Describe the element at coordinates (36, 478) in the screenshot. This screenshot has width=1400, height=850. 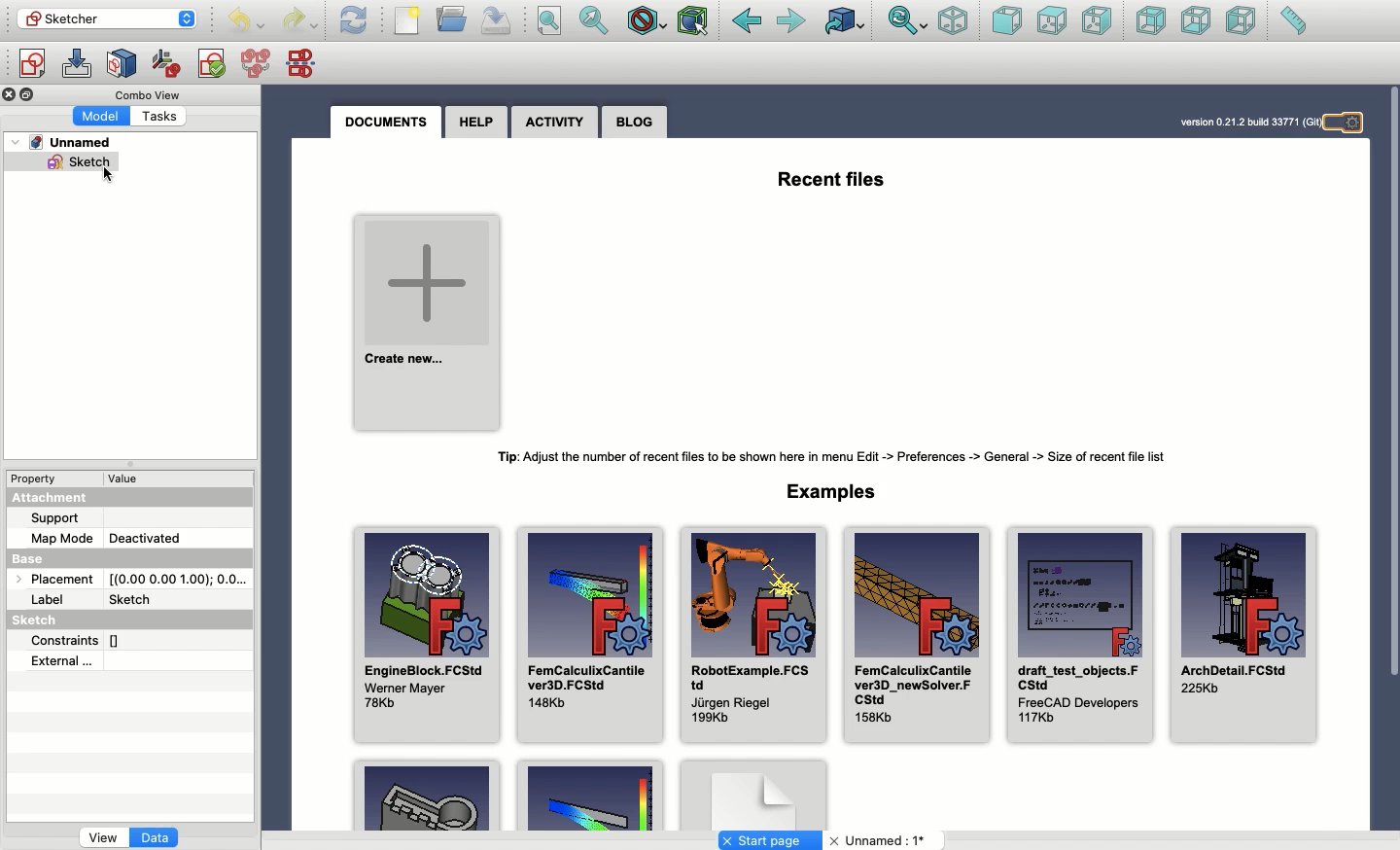
I see `Property` at that location.